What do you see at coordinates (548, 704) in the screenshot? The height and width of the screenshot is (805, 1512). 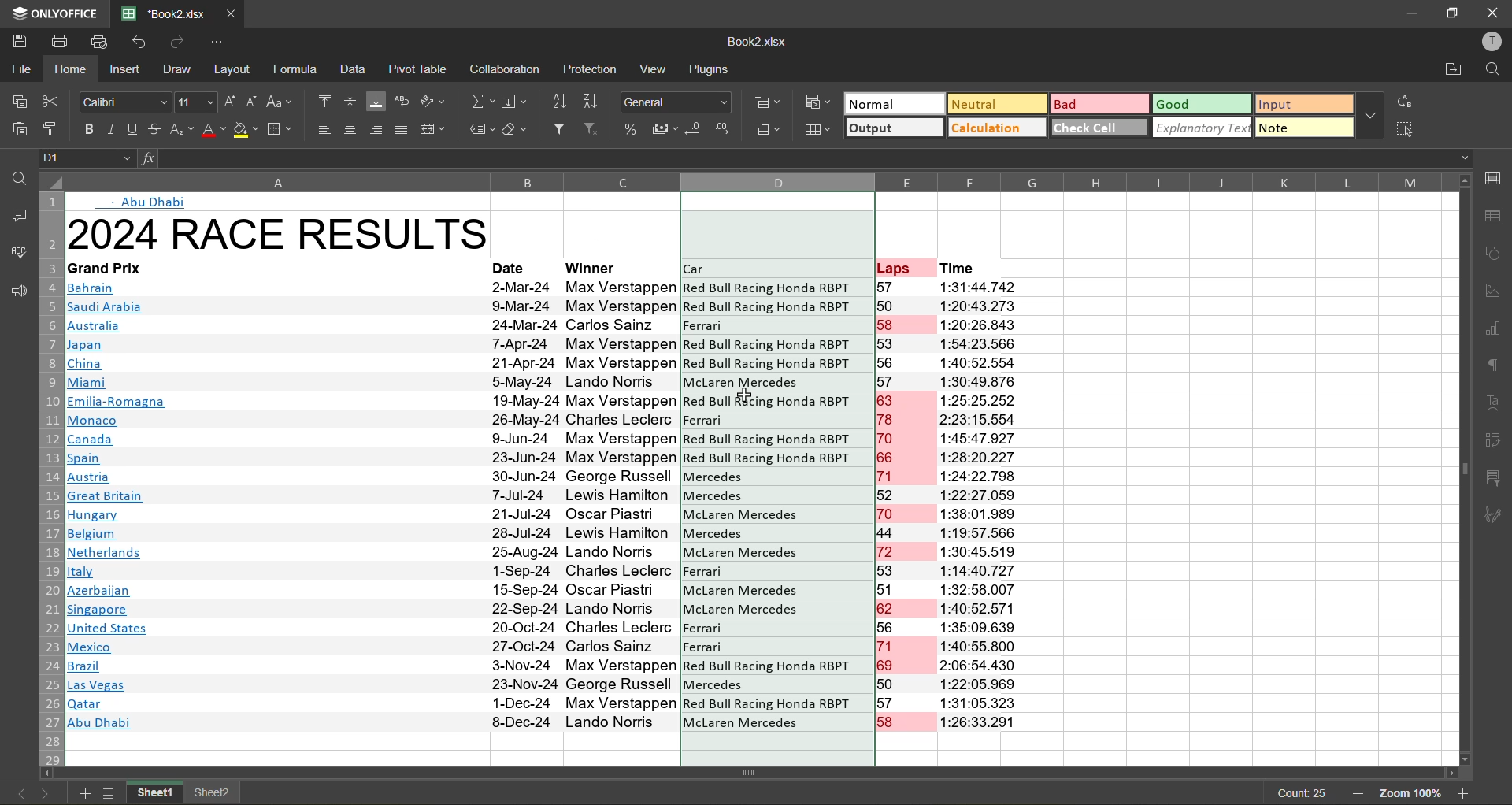 I see `|Qatar 1-Dec-24 Max Verstappen Red Bull Racing Honda RBr 1 of 1:31:00.323` at bounding box center [548, 704].